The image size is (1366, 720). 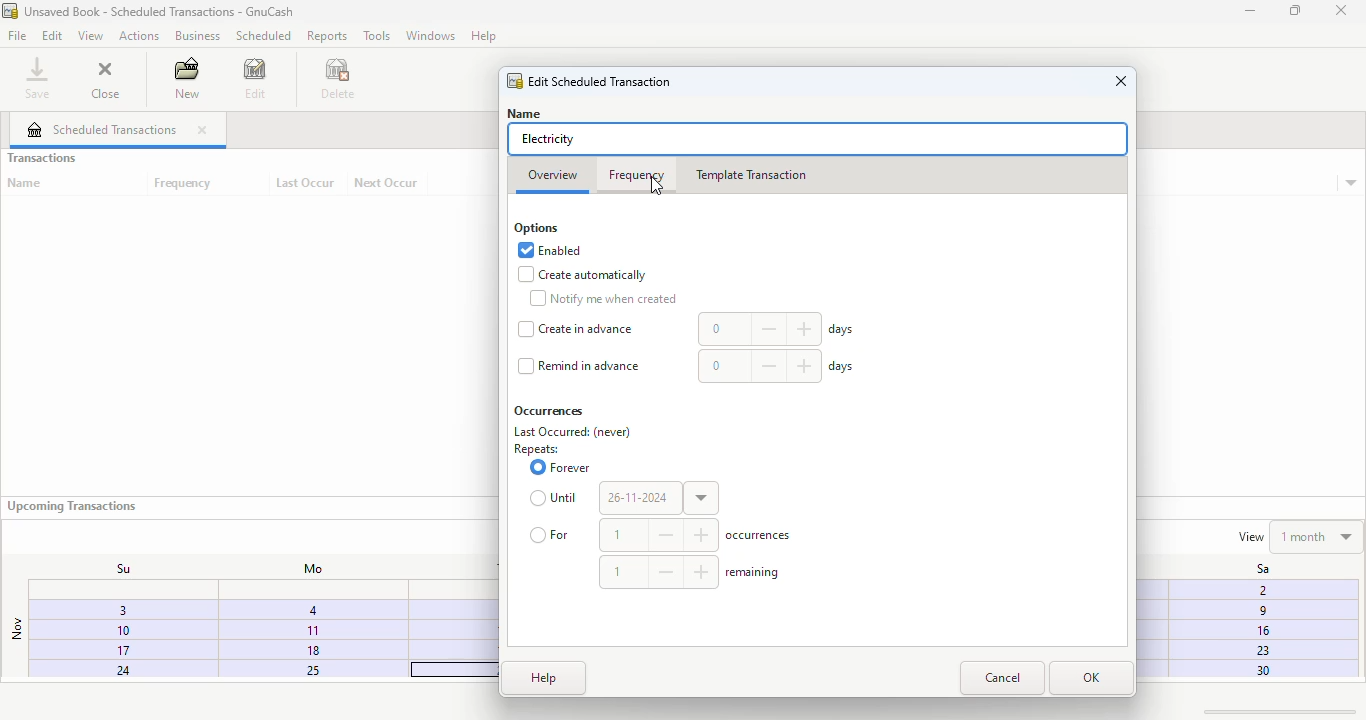 What do you see at coordinates (1002, 678) in the screenshot?
I see `cancel` at bounding box center [1002, 678].